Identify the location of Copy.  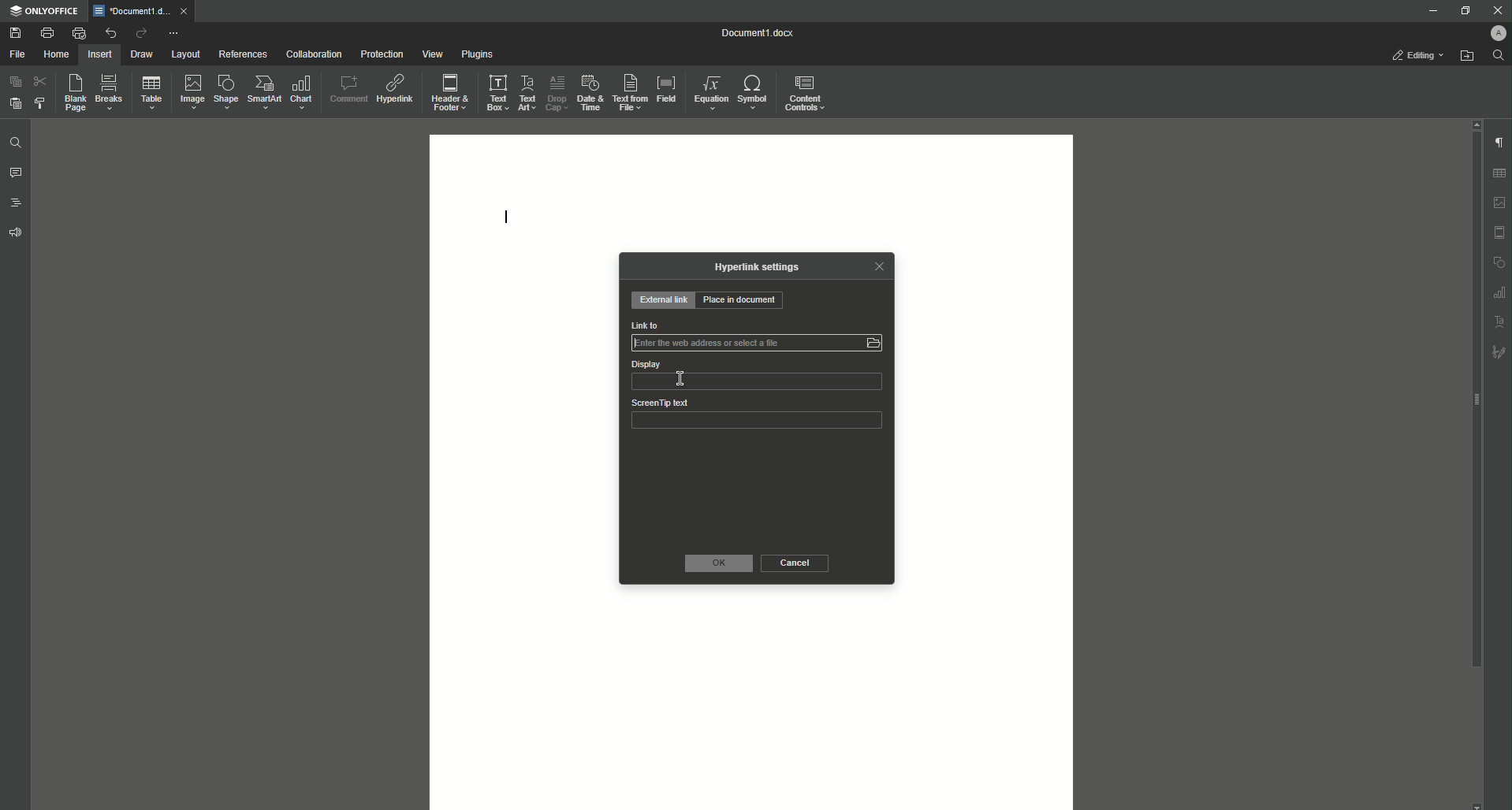
(15, 81).